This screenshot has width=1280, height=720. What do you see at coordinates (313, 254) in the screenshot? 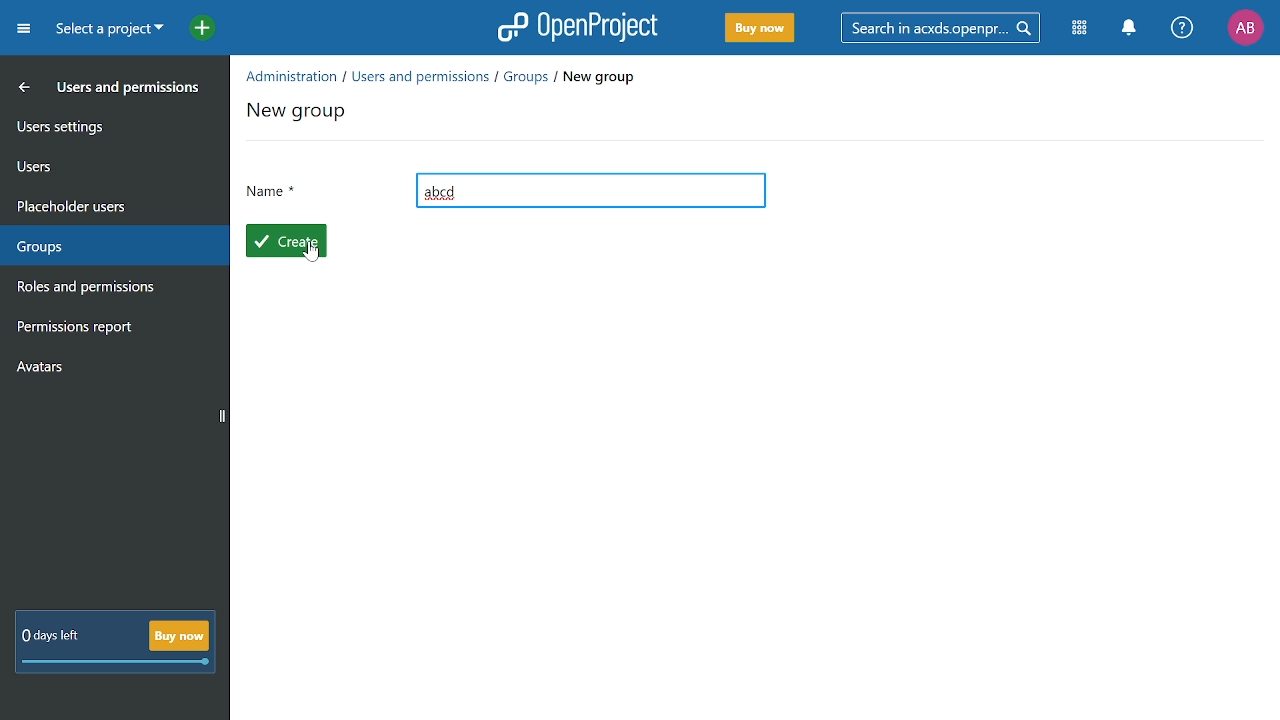
I see `Cursor` at bounding box center [313, 254].